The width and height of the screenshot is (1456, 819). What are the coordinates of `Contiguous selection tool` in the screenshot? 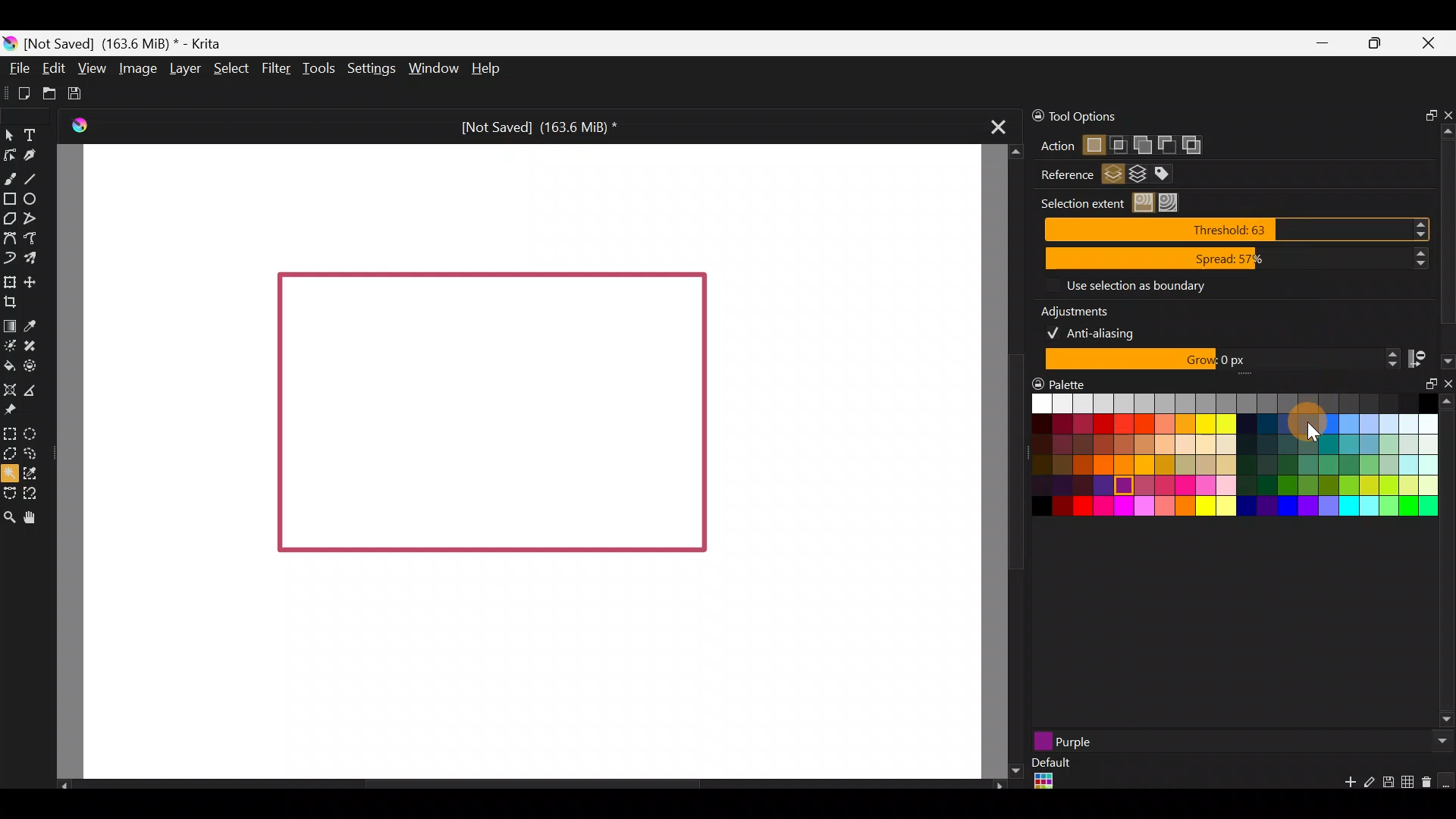 It's located at (11, 473).